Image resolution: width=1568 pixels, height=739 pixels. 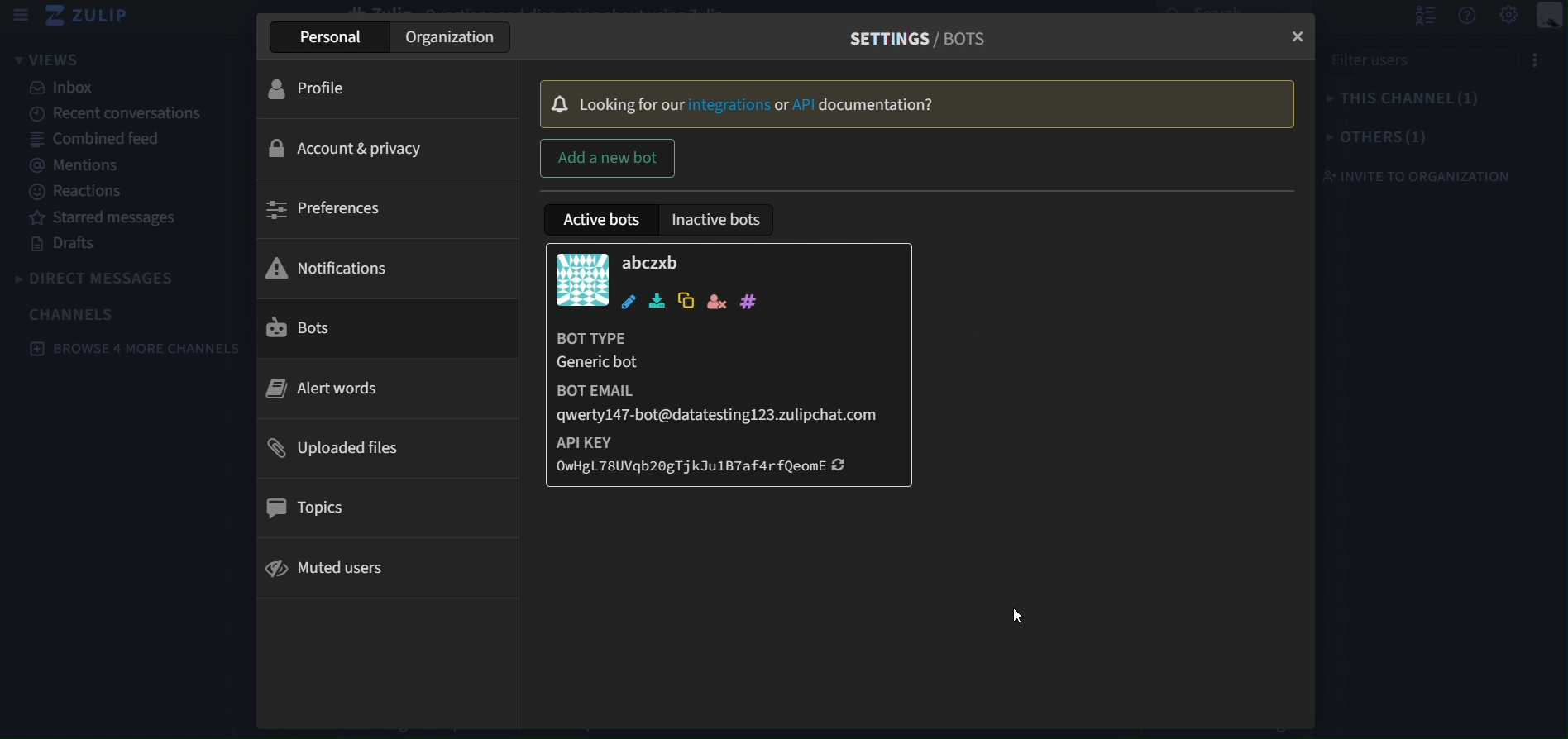 What do you see at coordinates (336, 37) in the screenshot?
I see `personal` at bounding box center [336, 37].